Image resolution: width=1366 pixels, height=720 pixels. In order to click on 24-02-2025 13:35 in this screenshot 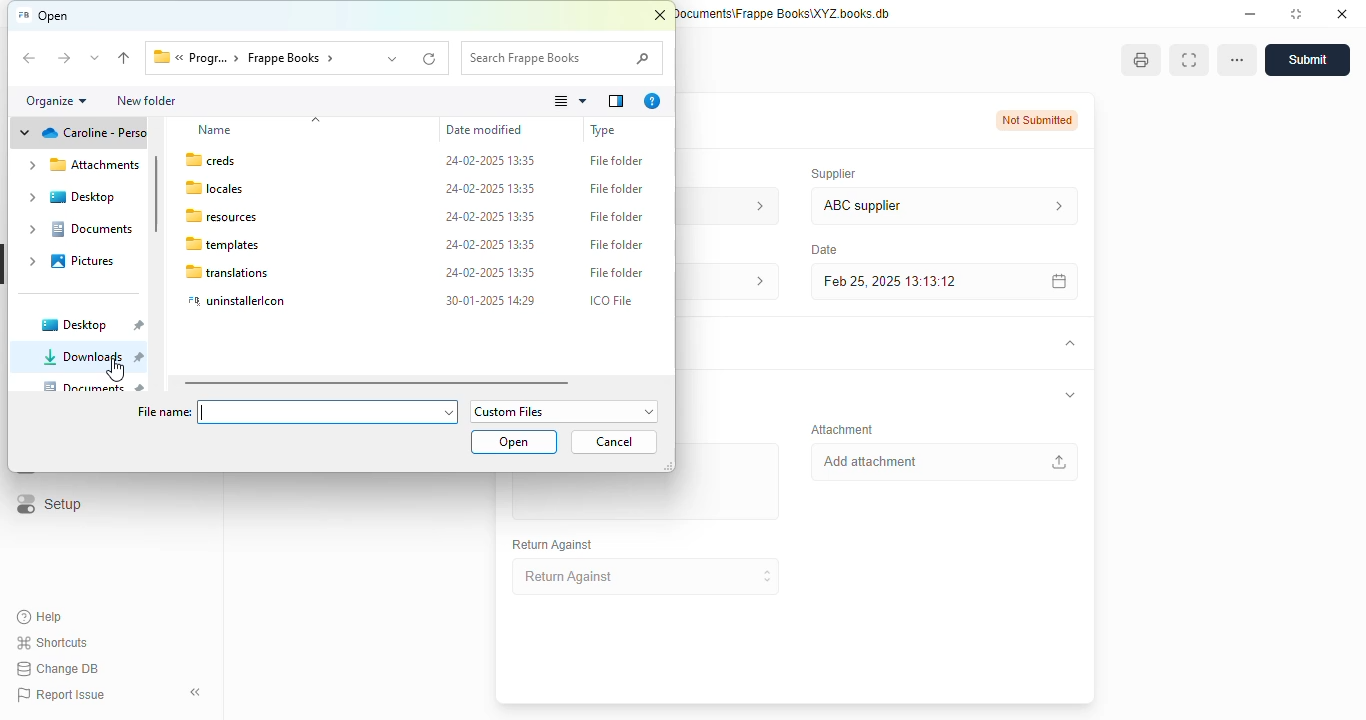, I will do `click(491, 216)`.